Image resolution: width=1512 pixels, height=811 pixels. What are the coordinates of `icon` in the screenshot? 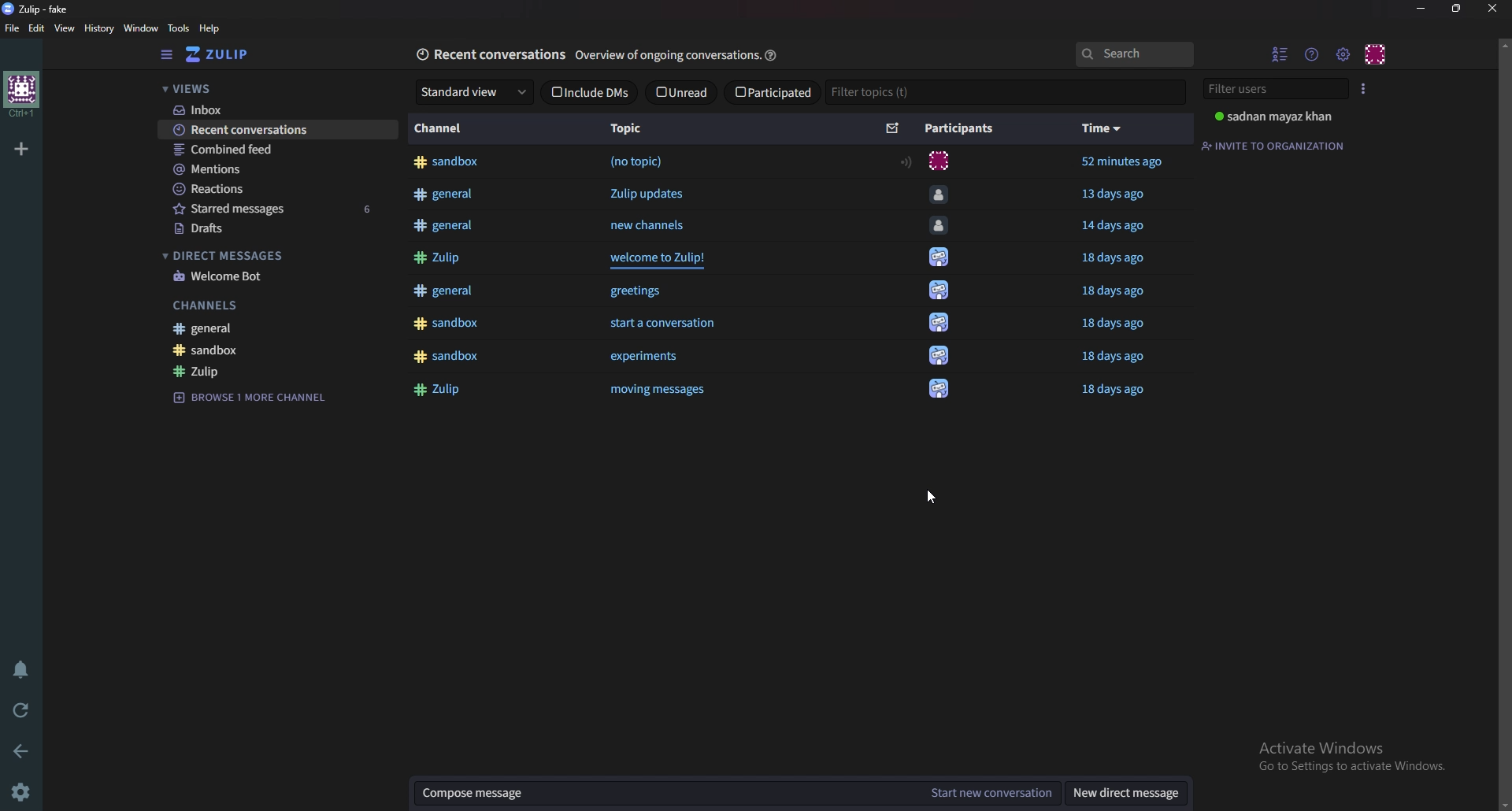 It's located at (937, 259).